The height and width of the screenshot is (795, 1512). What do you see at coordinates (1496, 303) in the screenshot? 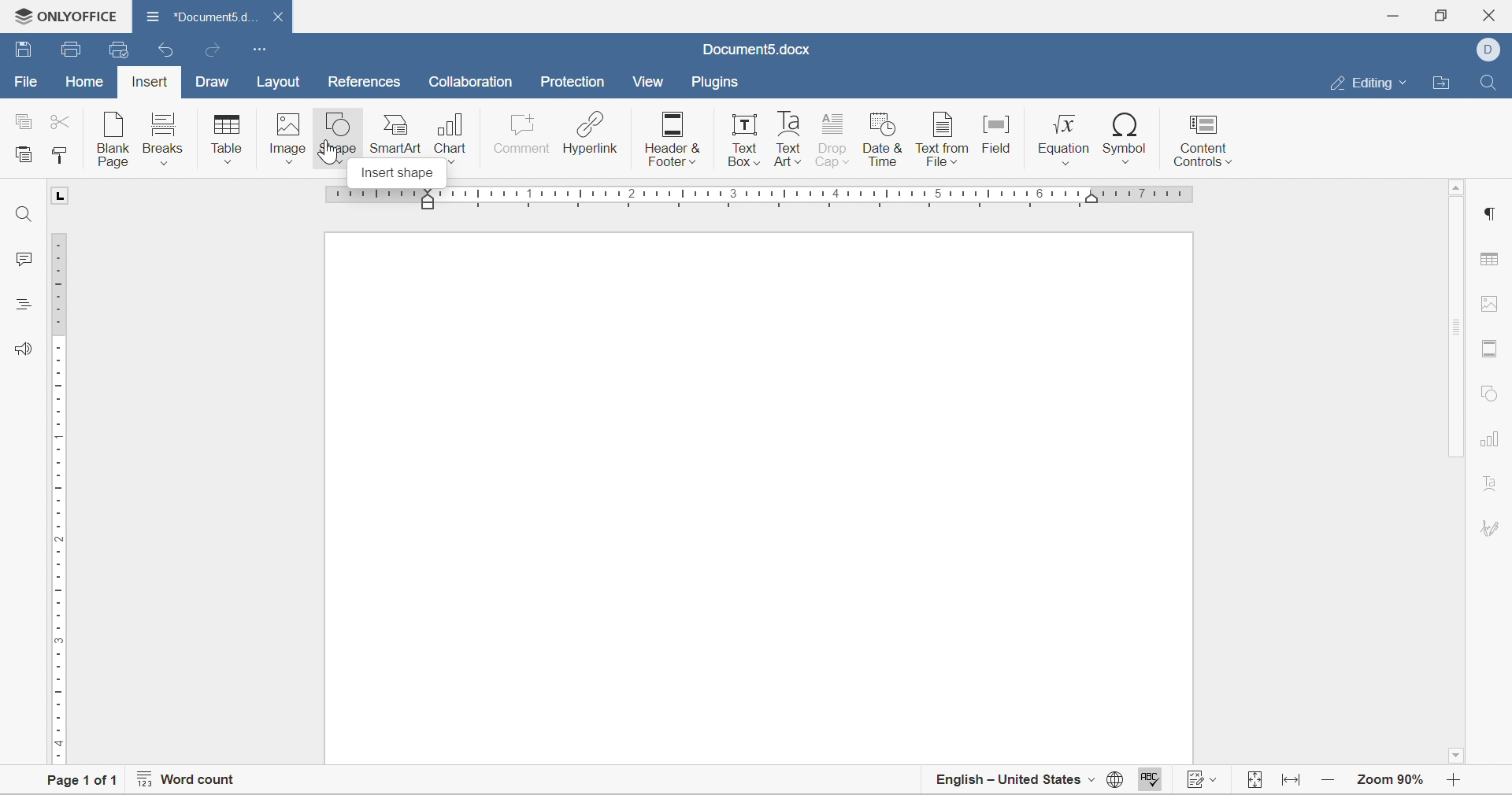
I see `image settings` at bounding box center [1496, 303].